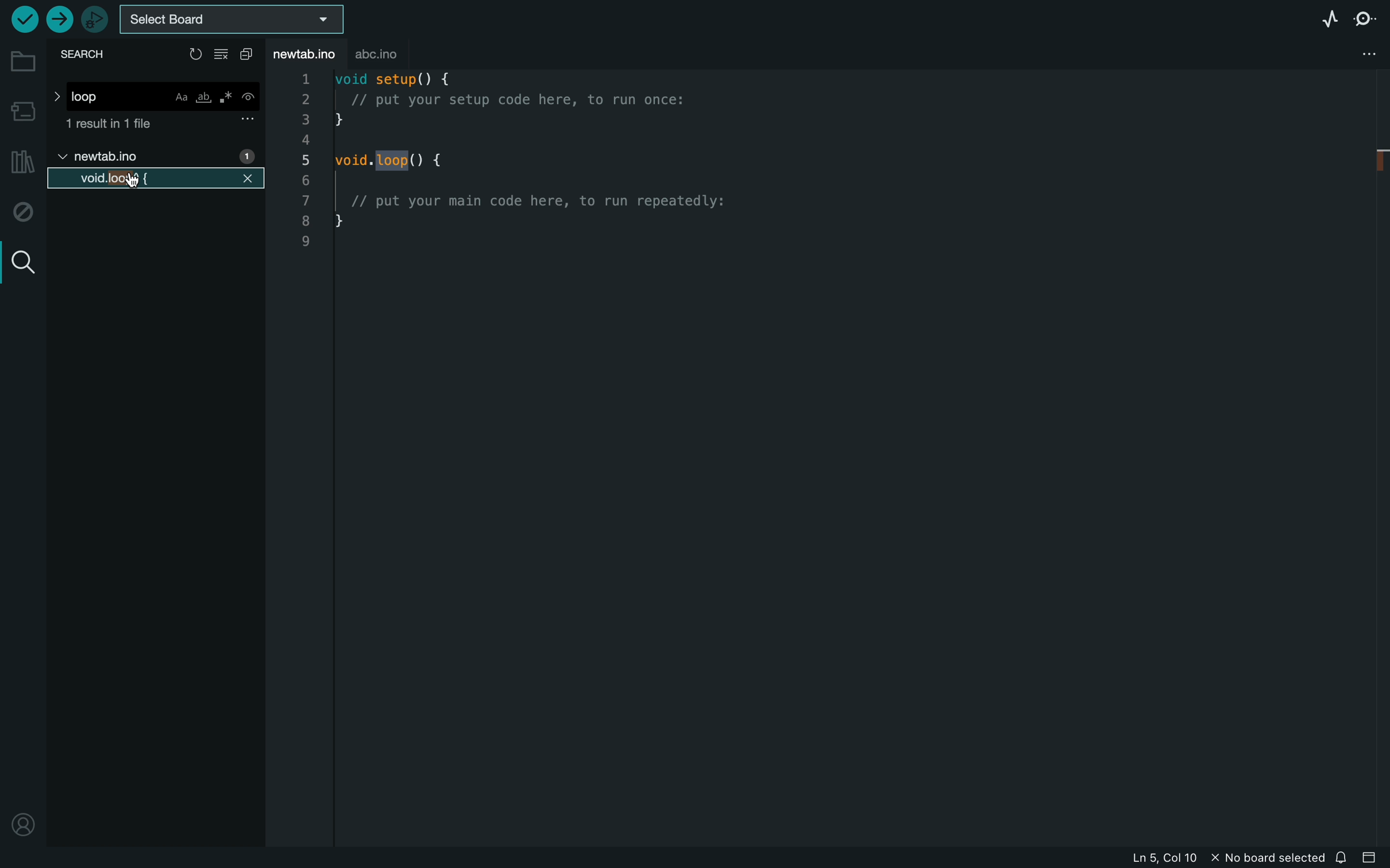  What do you see at coordinates (59, 20) in the screenshot?
I see `upload` at bounding box center [59, 20].